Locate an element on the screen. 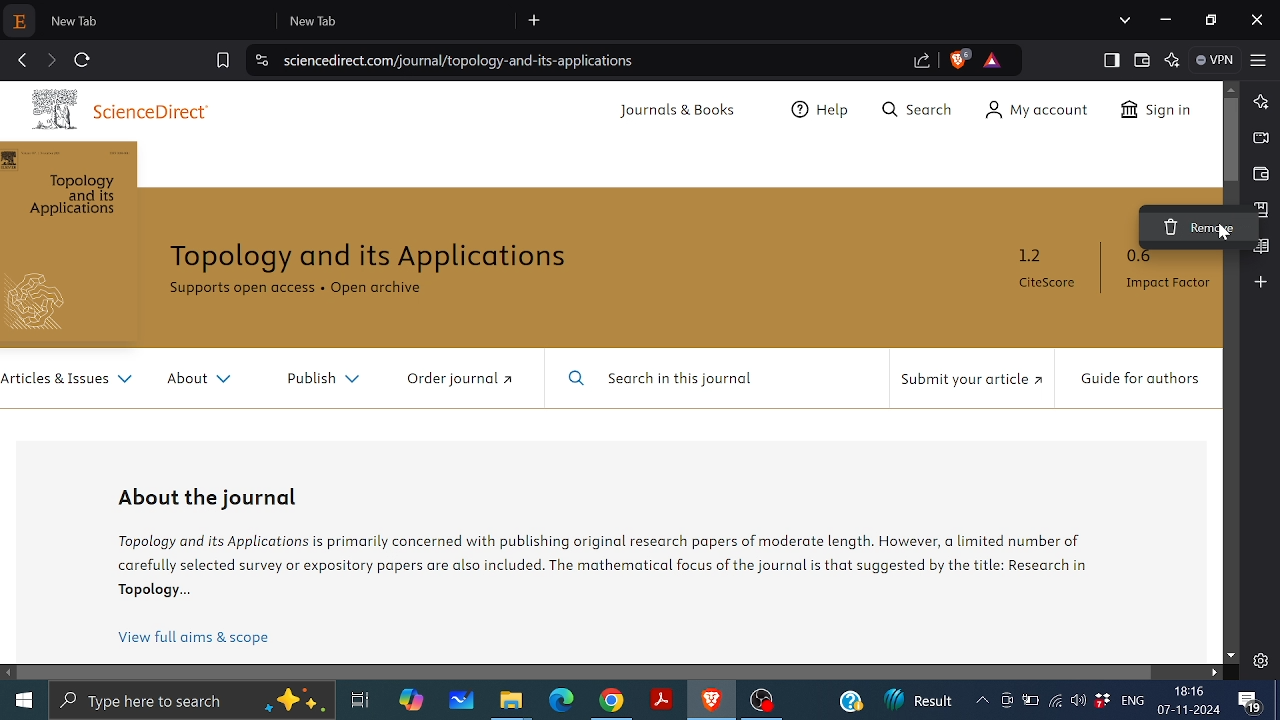  Adobe reader is located at coordinates (662, 697).